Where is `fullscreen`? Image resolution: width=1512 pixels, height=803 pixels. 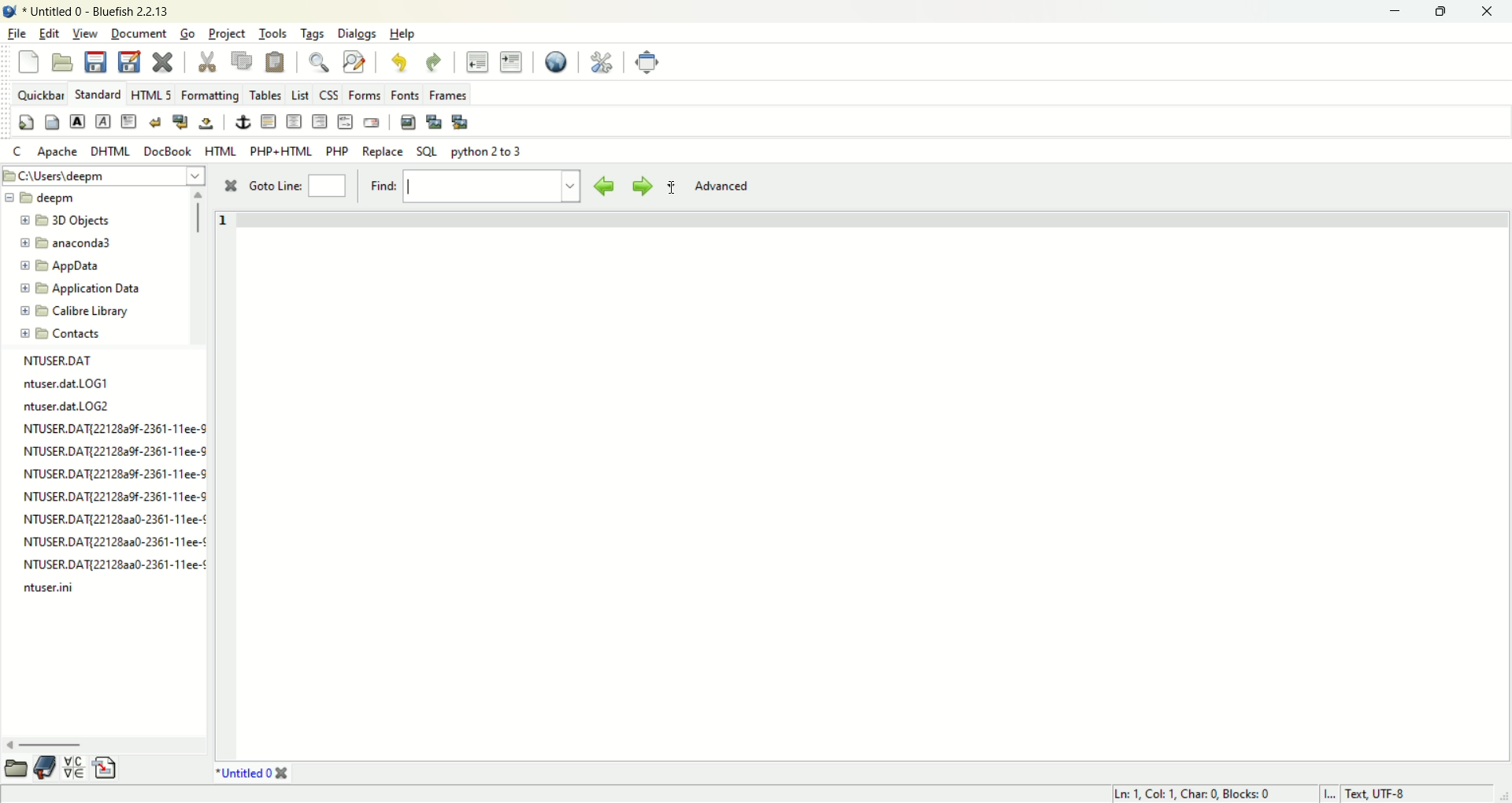
fullscreen is located at coordinates (647, 61).